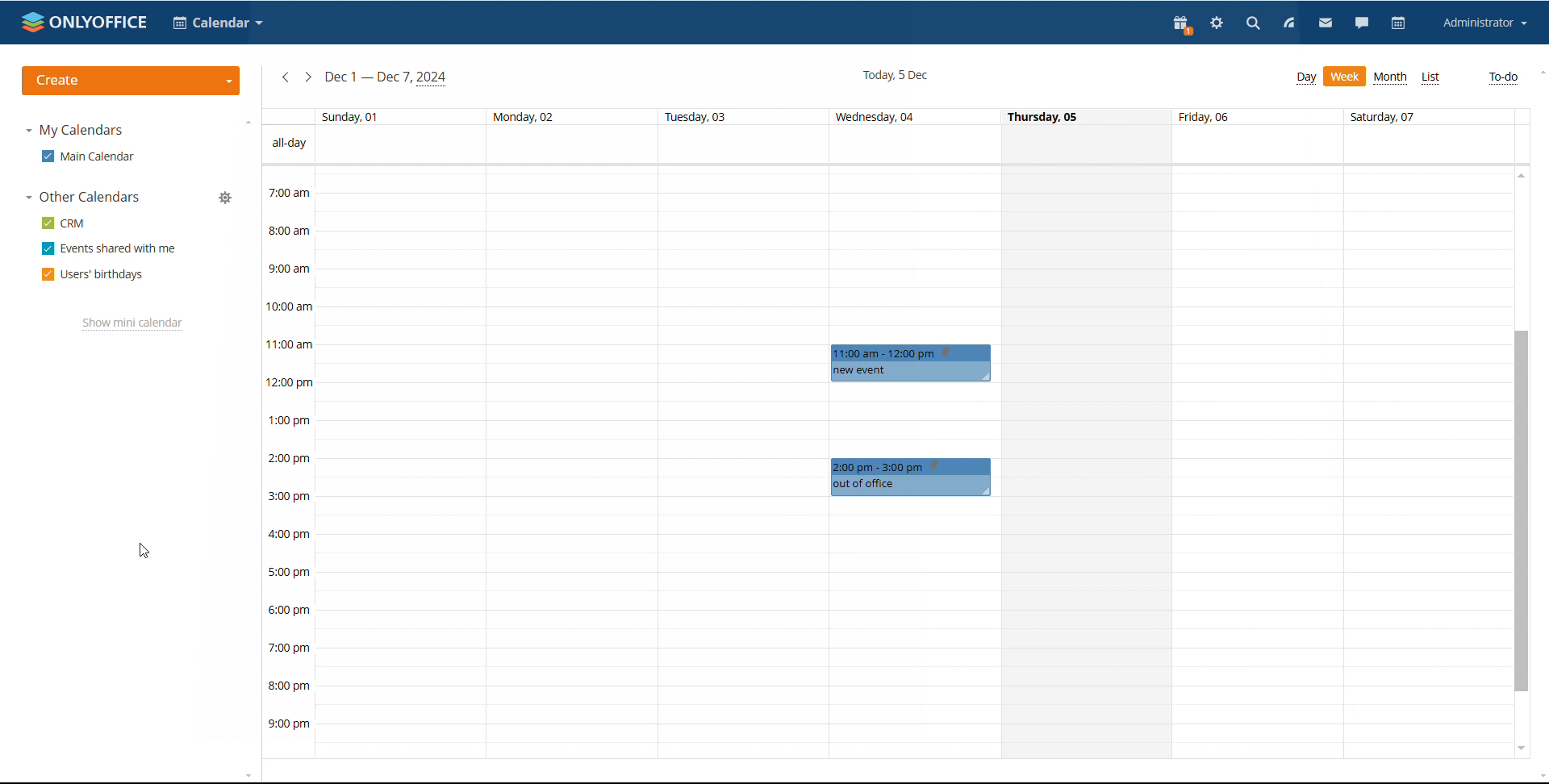 The image size is (1549, 784). Describe the element at coordinates (887, 117) in the screenshot. I see `days` at that location.